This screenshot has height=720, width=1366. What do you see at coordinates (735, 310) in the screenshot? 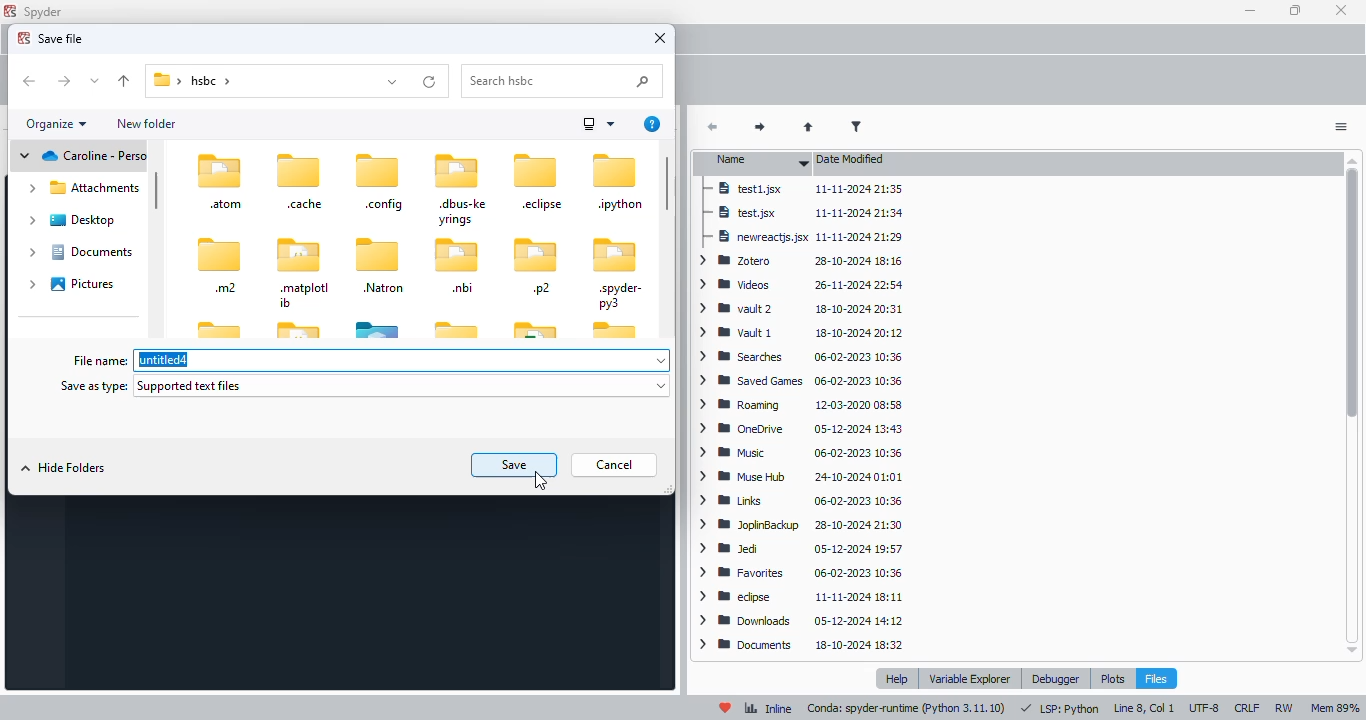
I see `vault 2 ` at bounding box center [735, 310].